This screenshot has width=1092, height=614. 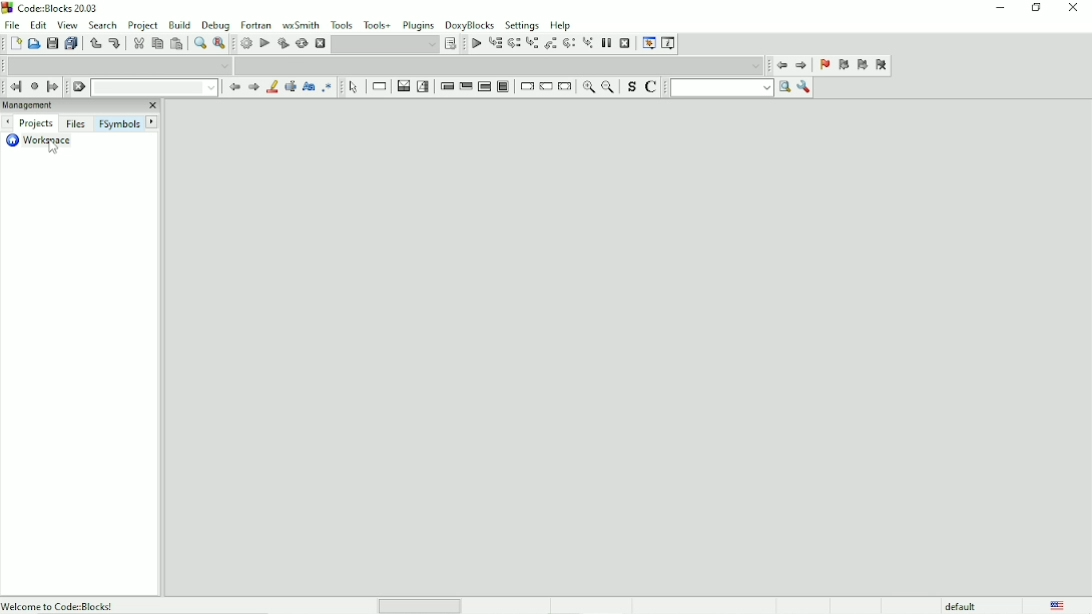 What do you see at coordinates (253, 87) in the screenshot?
I see `Next` at bounding box center [253, 87].